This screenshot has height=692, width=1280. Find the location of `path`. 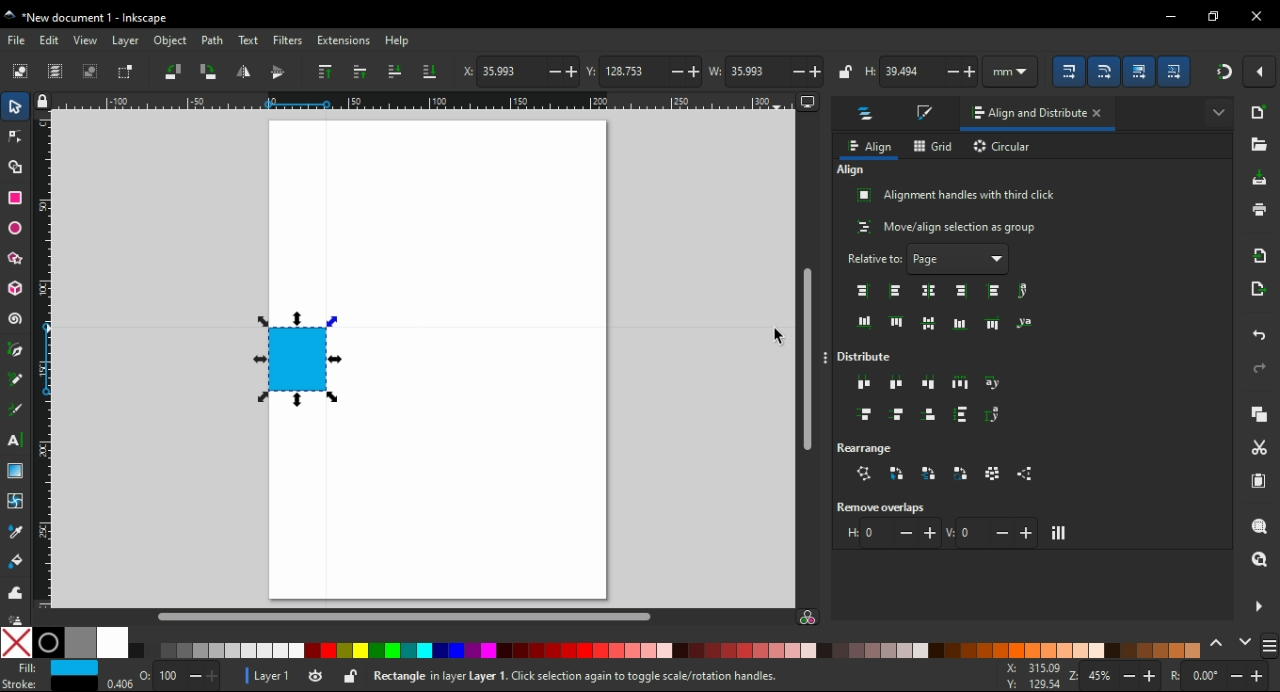

path is located at coordinates (212, 41).